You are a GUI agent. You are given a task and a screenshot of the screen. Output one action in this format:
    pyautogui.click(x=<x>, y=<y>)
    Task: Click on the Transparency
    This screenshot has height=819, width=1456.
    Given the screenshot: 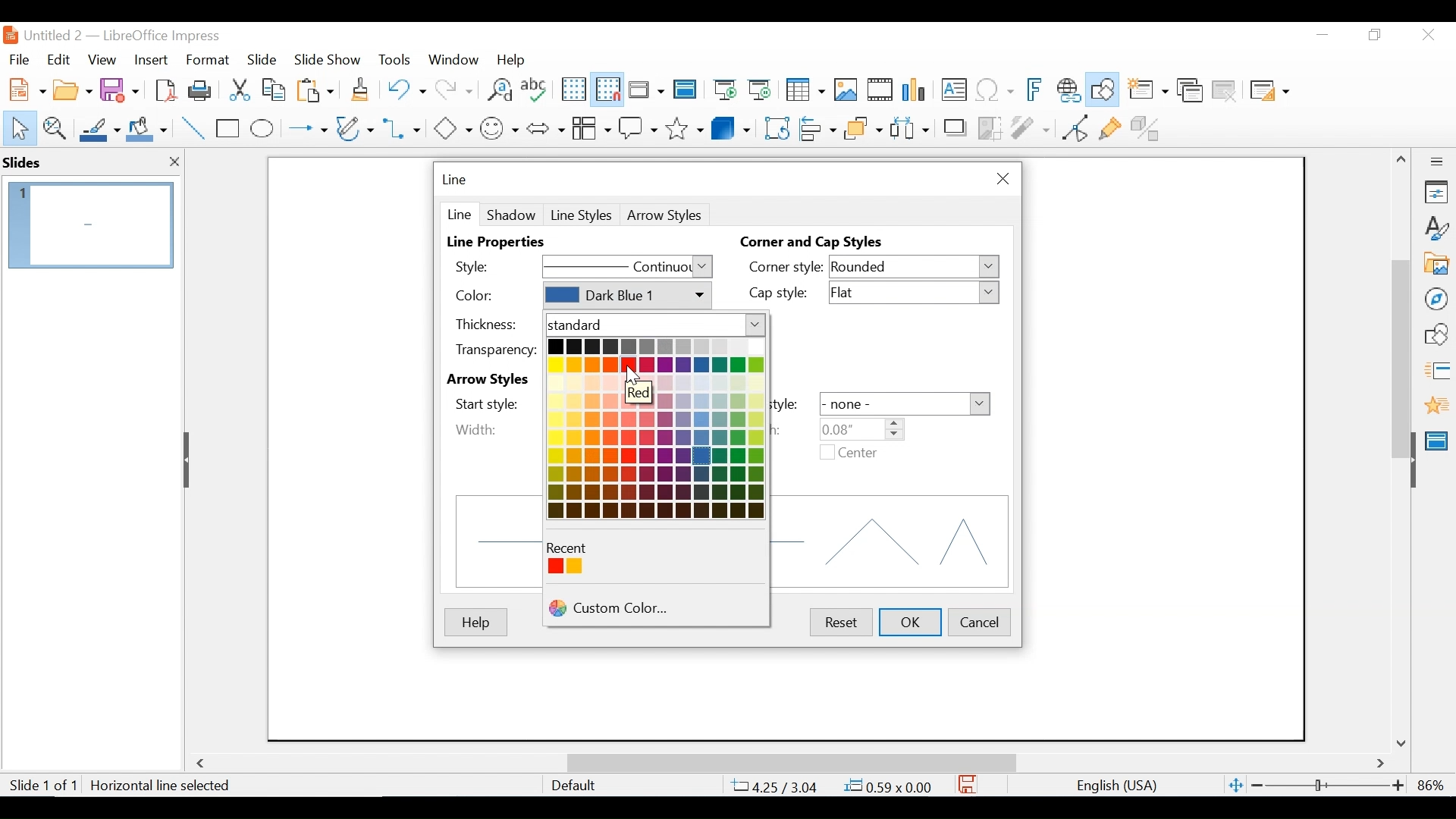 What is the action you would take?
    pyautogui.click(x=494, y=350)
    